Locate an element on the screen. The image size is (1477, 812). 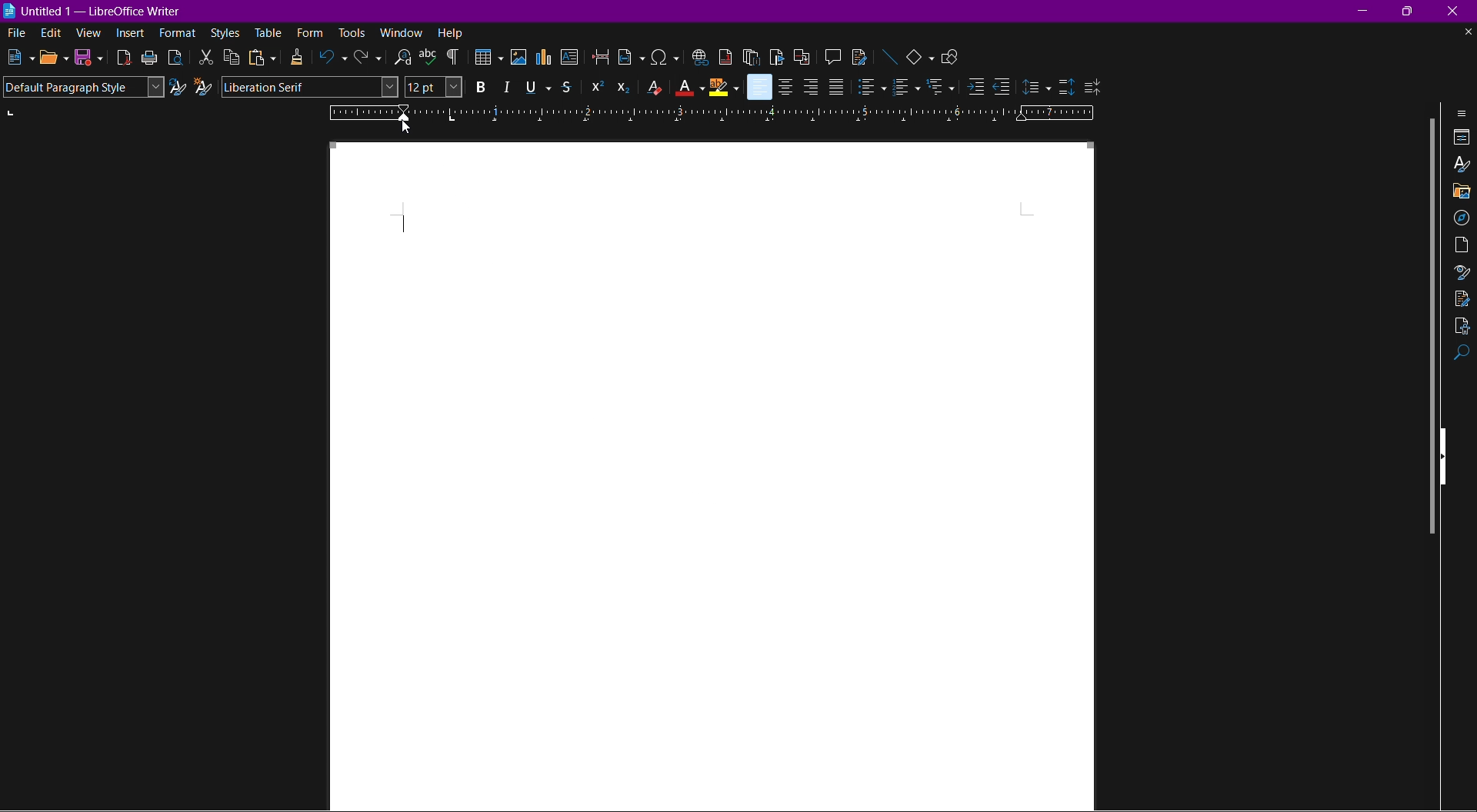
Find and Replace is located at coordinates (400, 57).